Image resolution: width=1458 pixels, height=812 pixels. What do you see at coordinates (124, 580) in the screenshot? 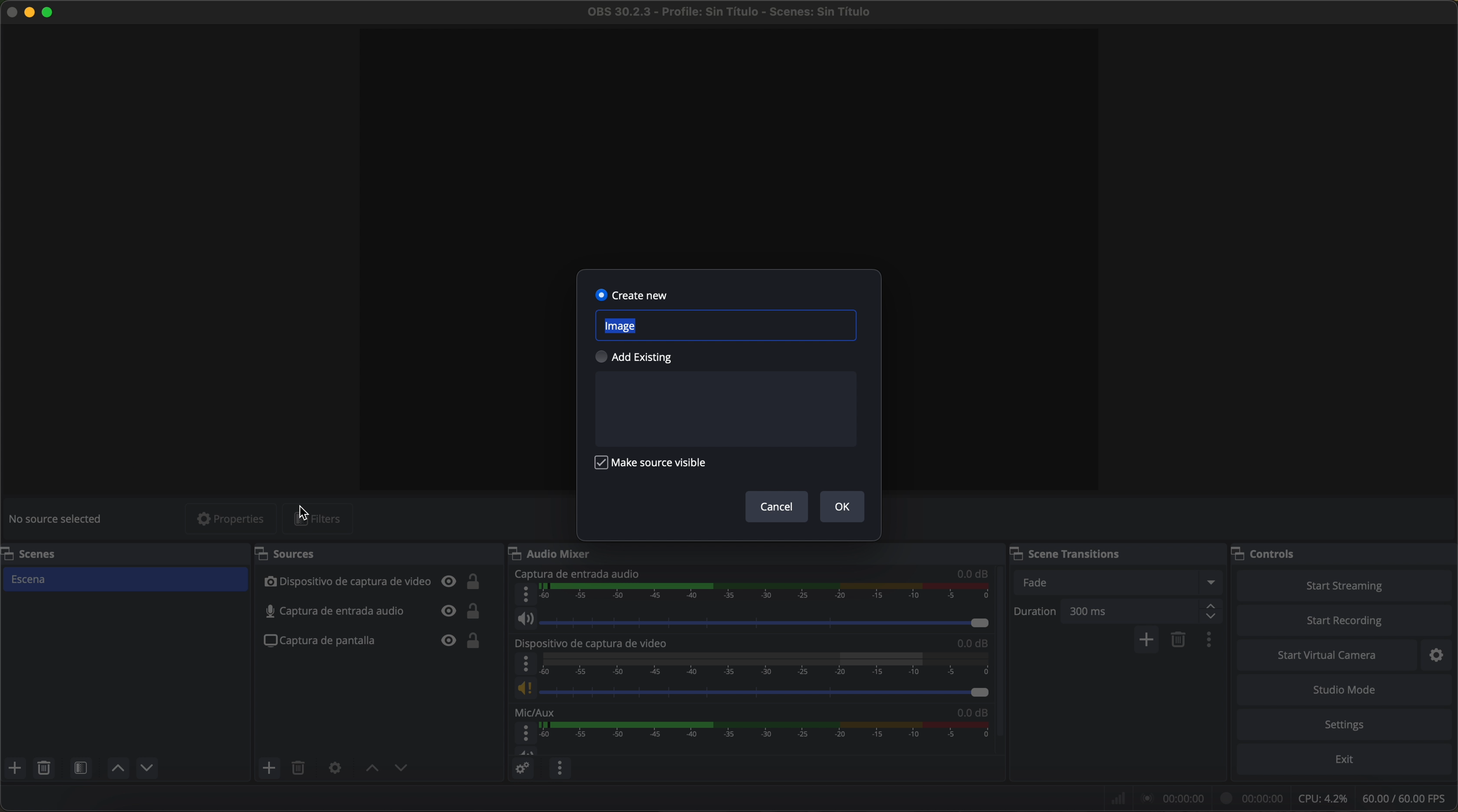
I see `scene` at bounding box center [124, 580].